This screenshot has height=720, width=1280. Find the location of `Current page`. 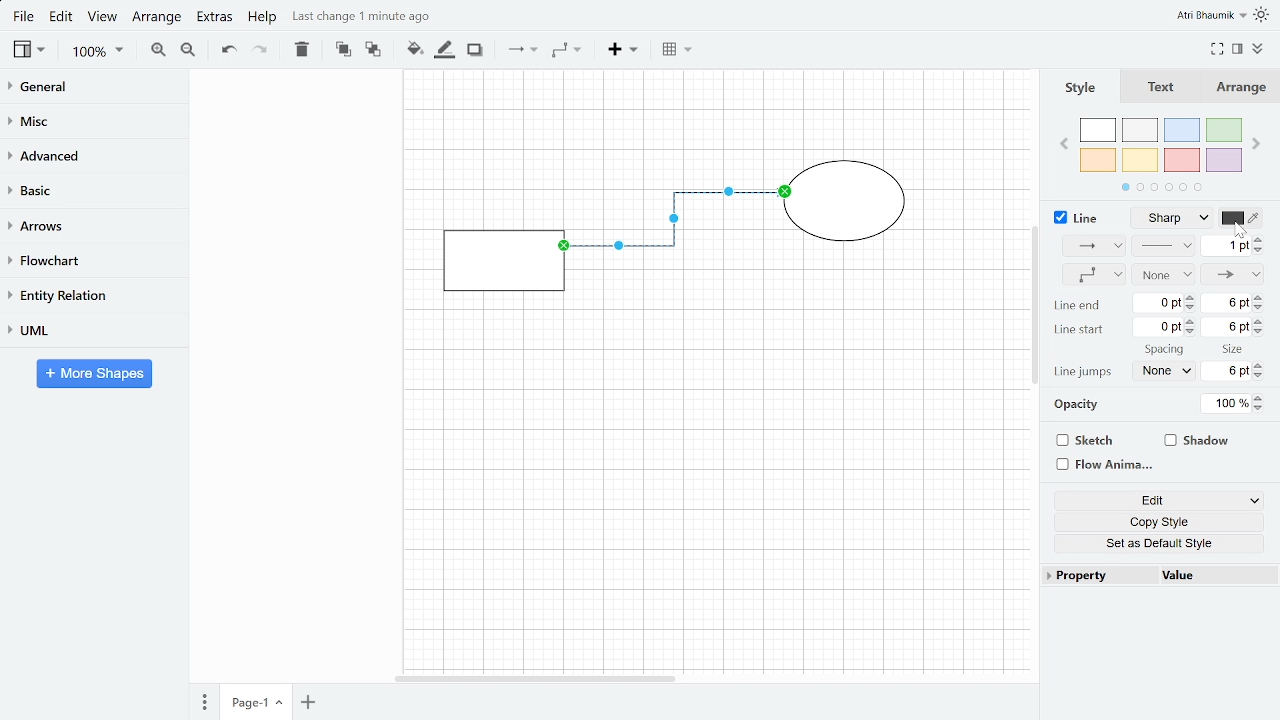

Current page is located at coordinates (254, 703).